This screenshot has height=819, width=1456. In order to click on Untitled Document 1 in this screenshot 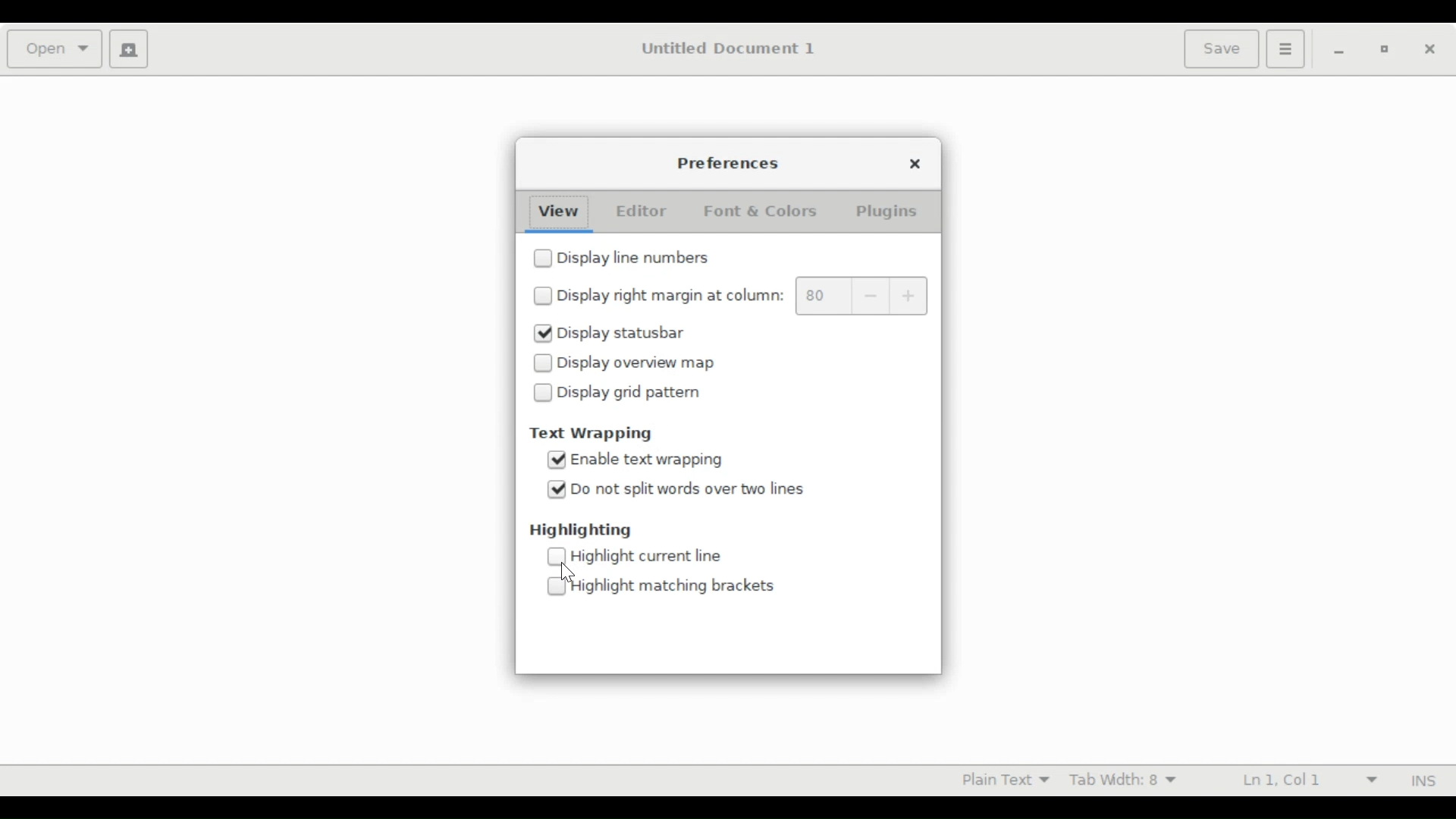, I will do `click(728, 49)`.